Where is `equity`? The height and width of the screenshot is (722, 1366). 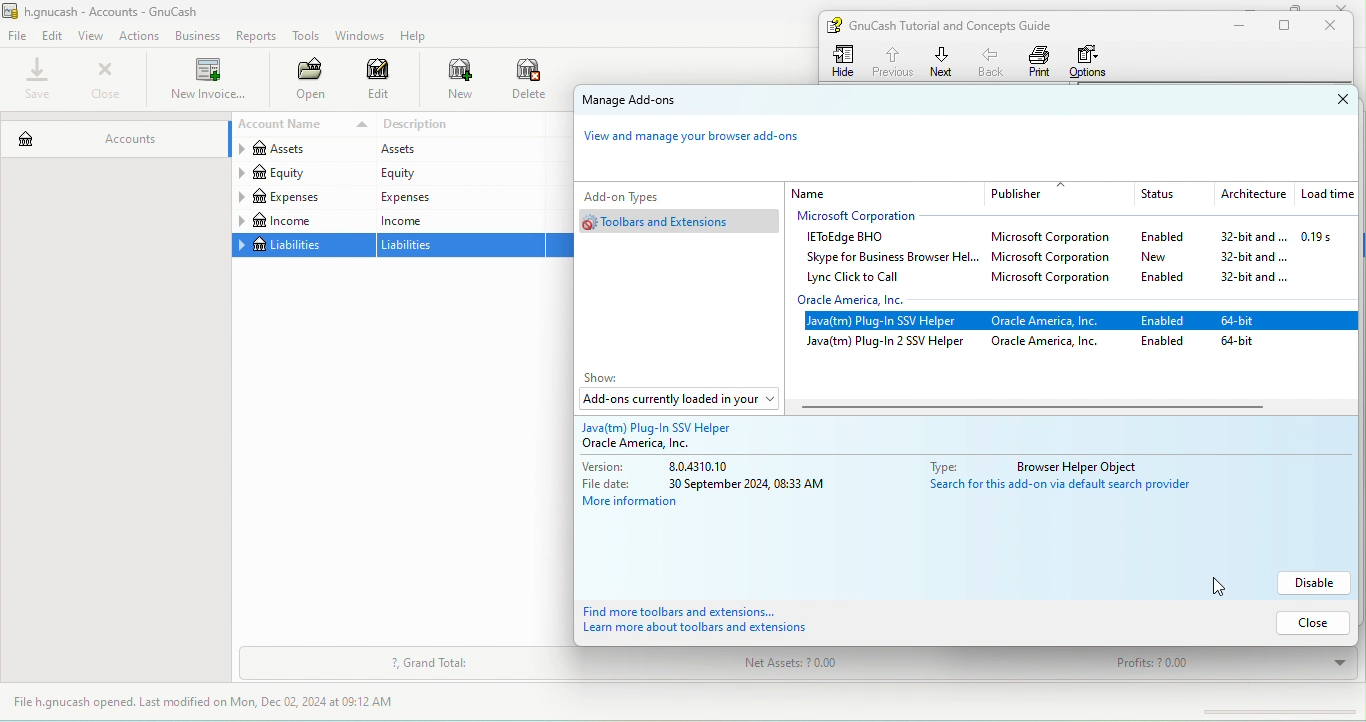
equity is located at coordinates (301, 174).